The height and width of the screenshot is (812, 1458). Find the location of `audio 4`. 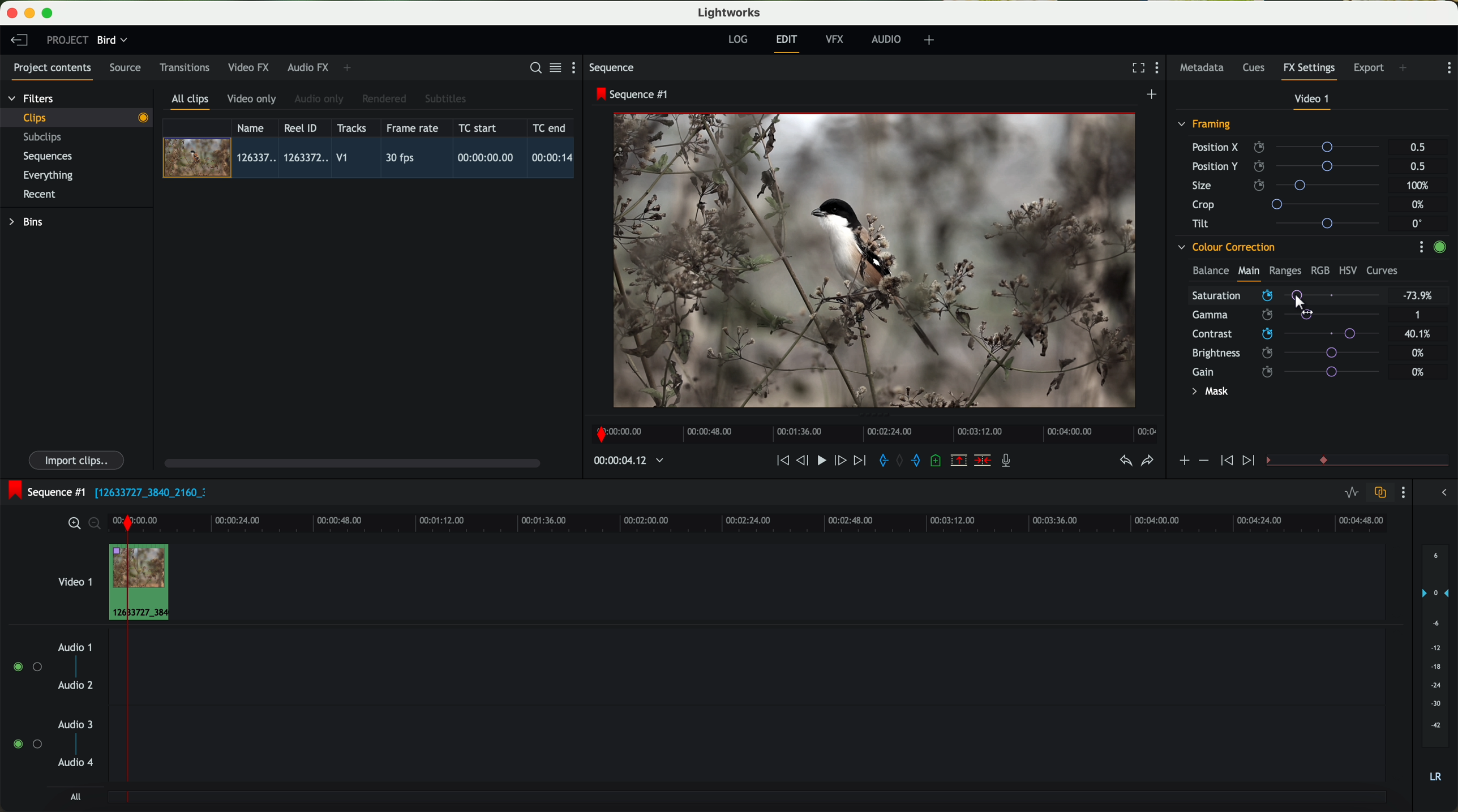

audio 4 is located at coordinates (76, 763).